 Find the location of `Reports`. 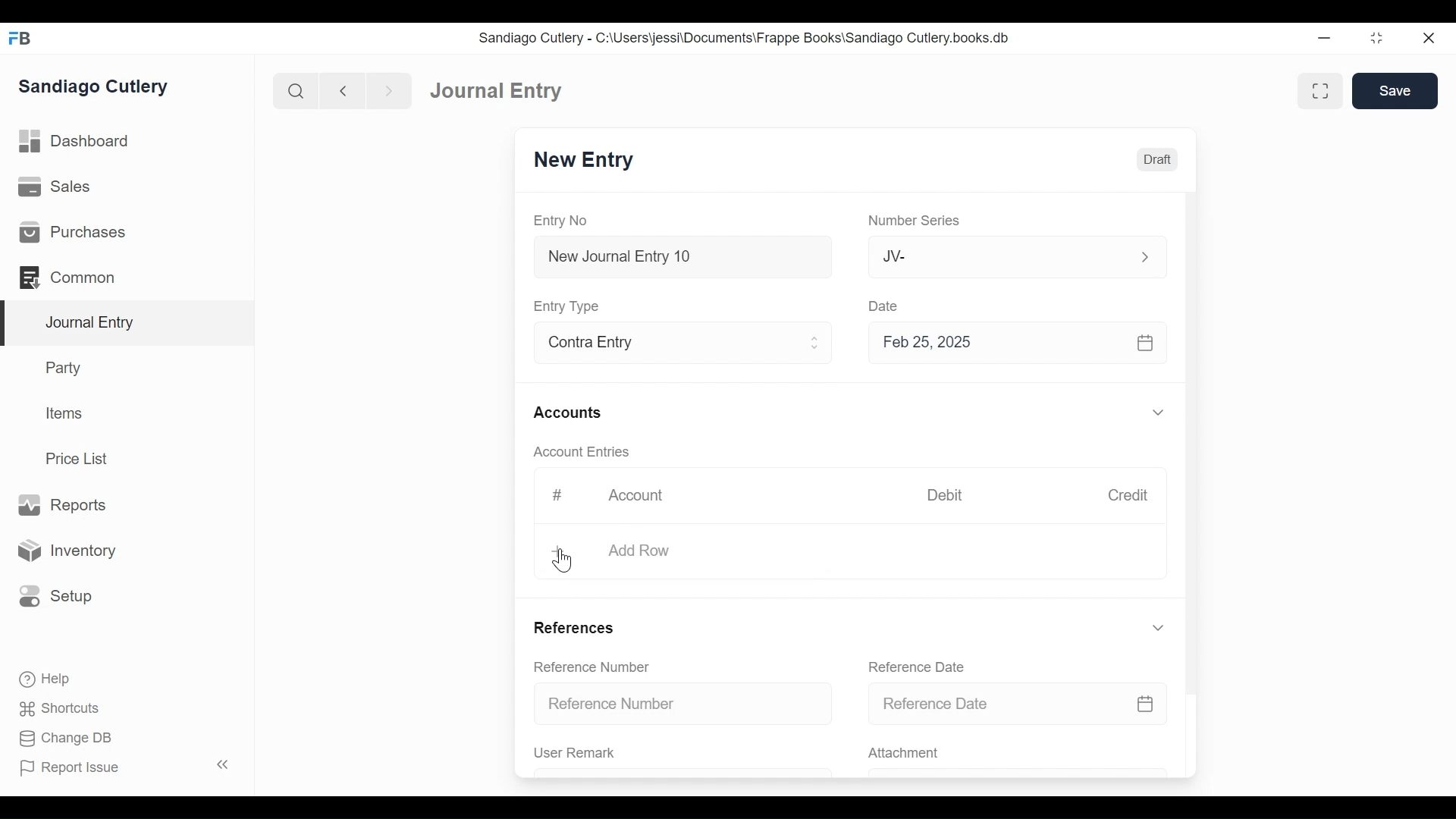

Reports is located at coordinates (61, 504).